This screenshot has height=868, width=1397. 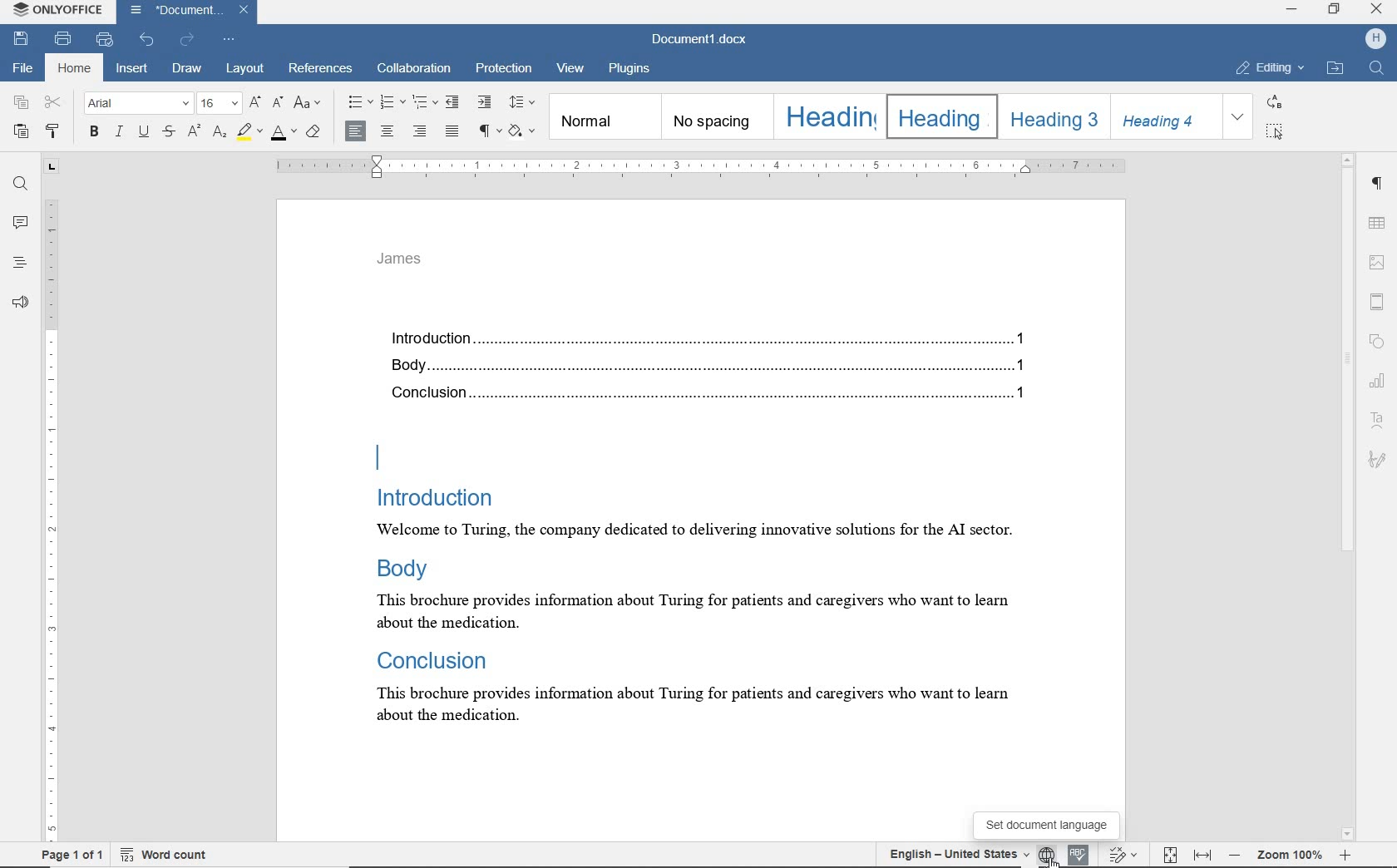 I want to click on plugins, so click(x=629, y=69).